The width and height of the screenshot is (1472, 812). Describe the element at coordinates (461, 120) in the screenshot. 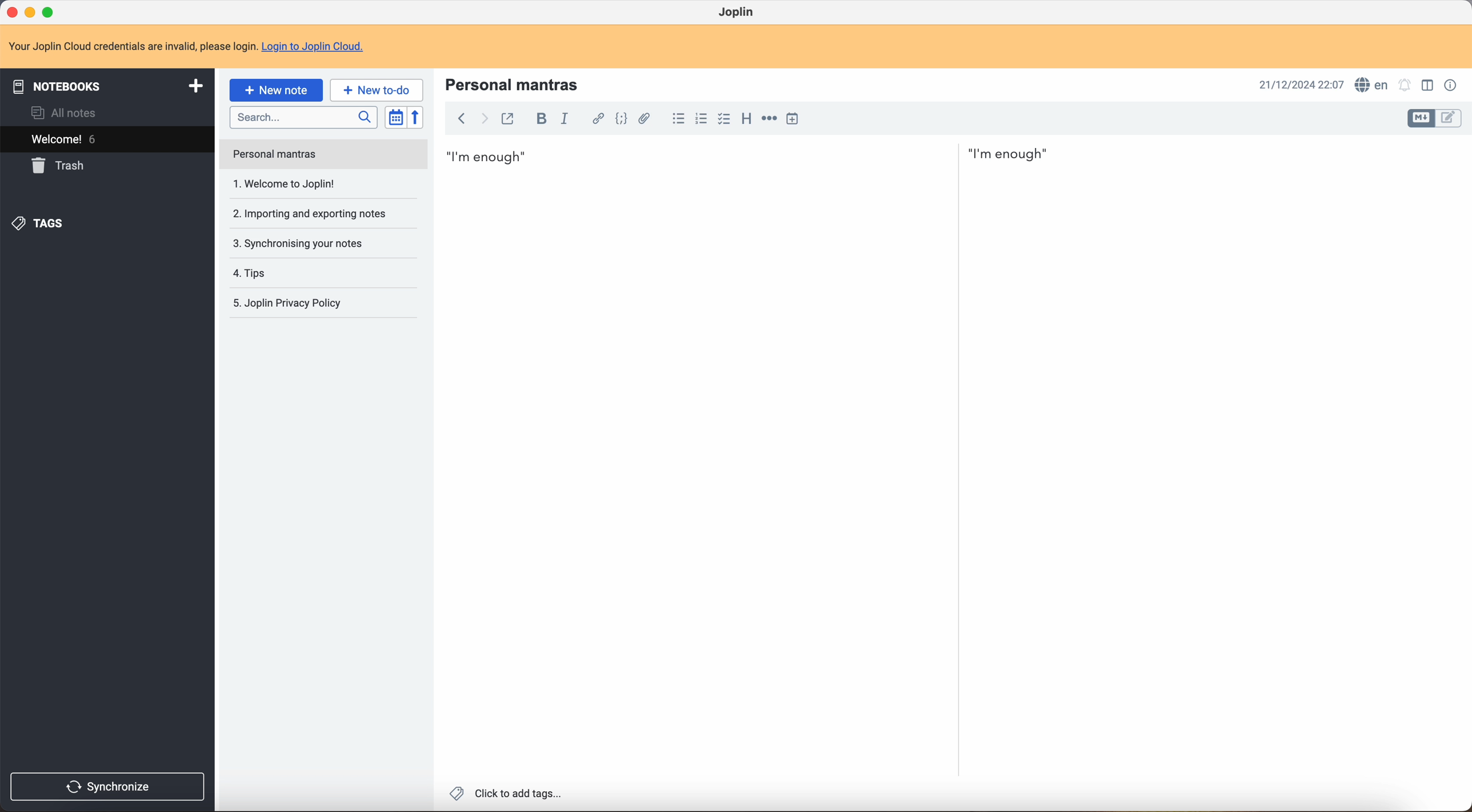

I see `back` at that location.